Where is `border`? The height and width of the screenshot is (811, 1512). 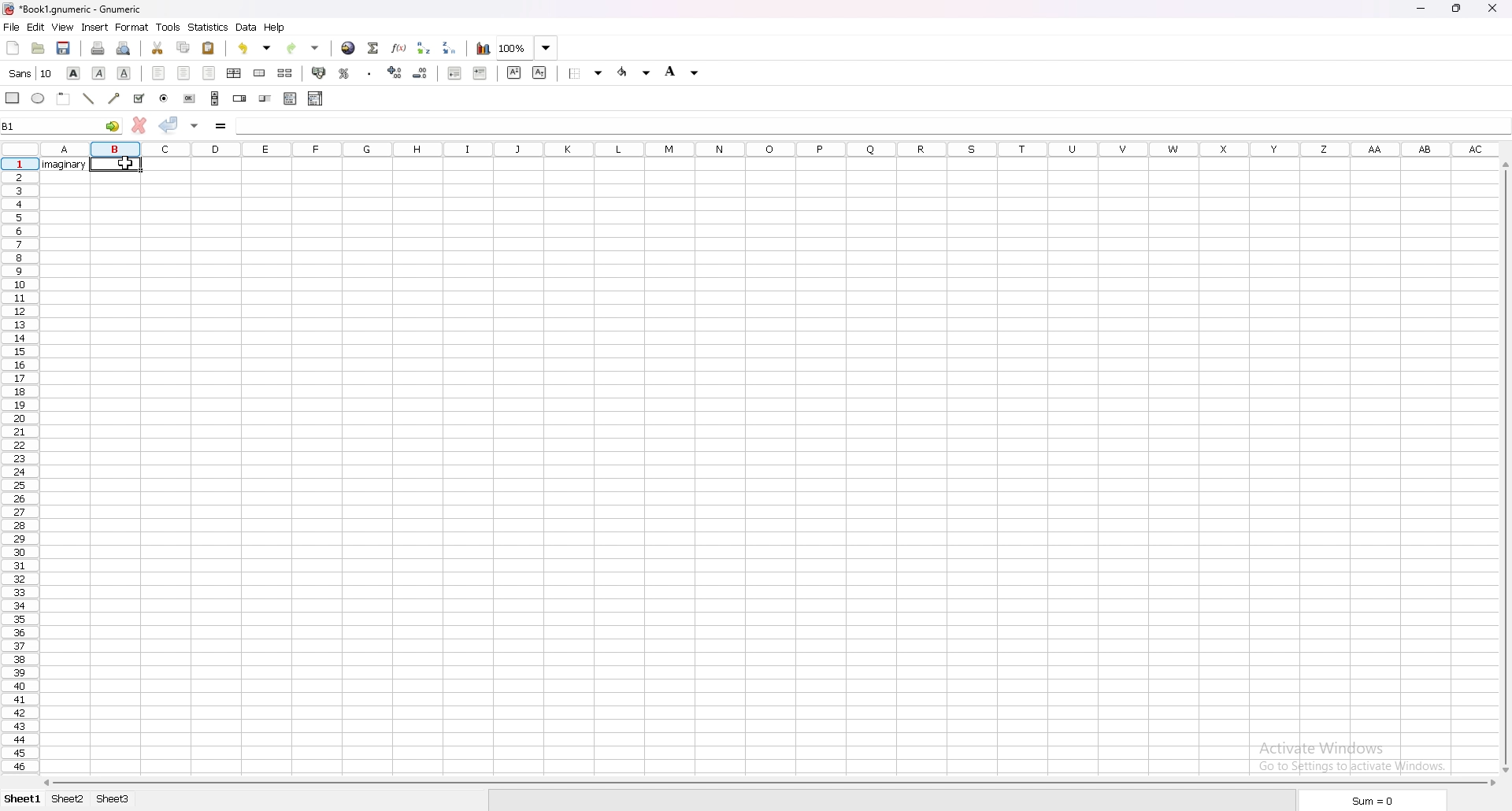 border is located at coordinates (586, 74).